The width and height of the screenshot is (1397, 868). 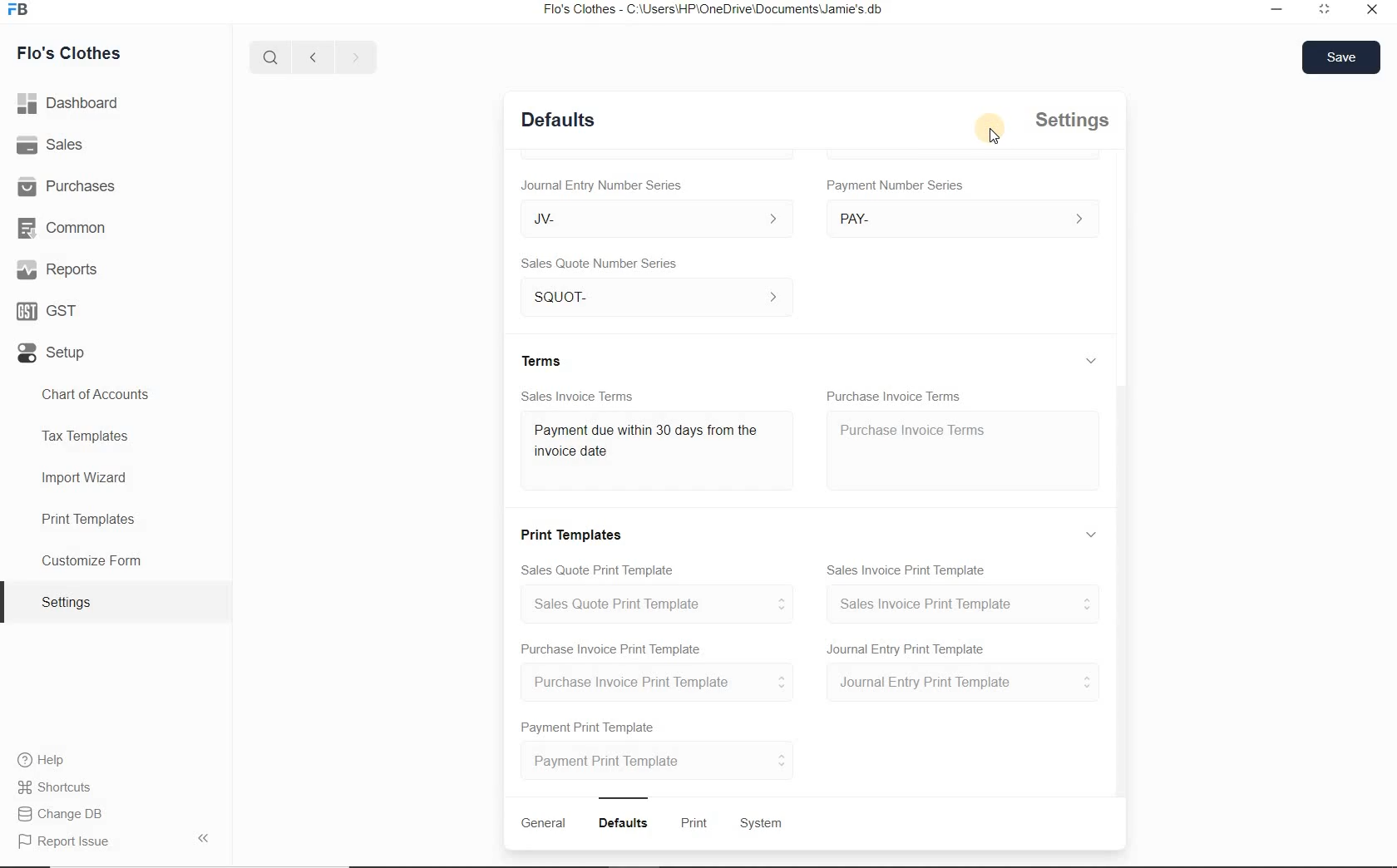 I want to click on Sales Invoice Terms, so click(x=577, y=397).